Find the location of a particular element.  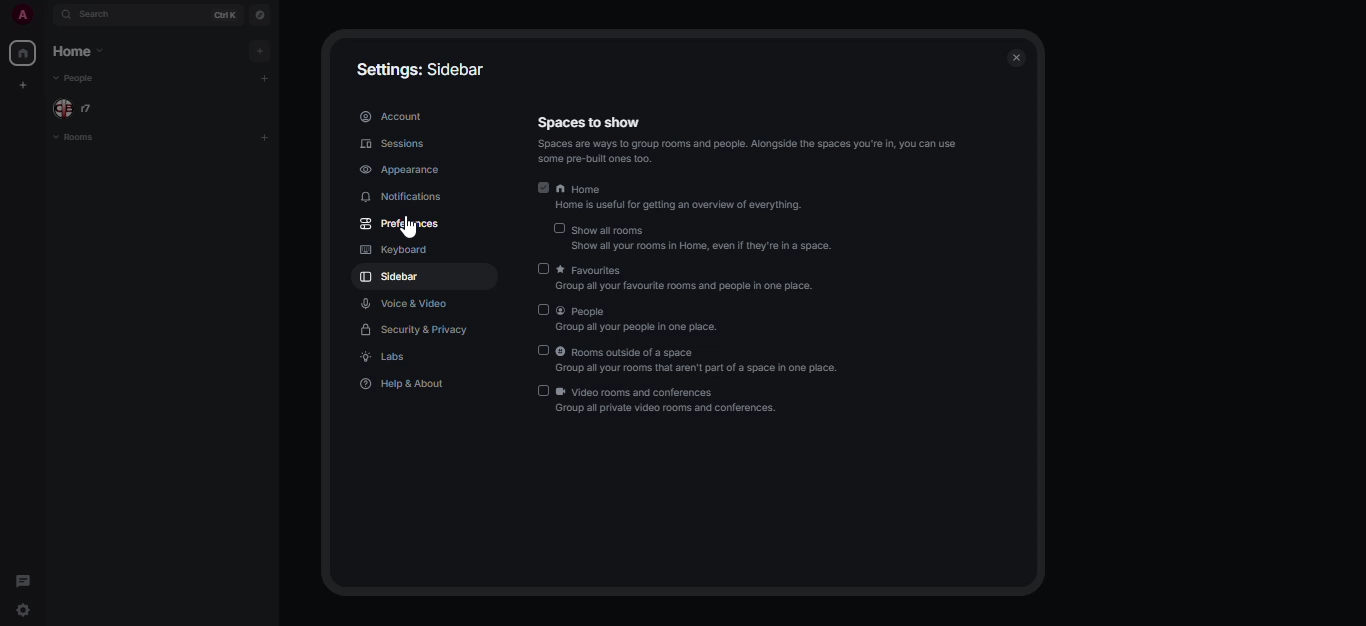

quick settings is located at coordinates (24, 611).